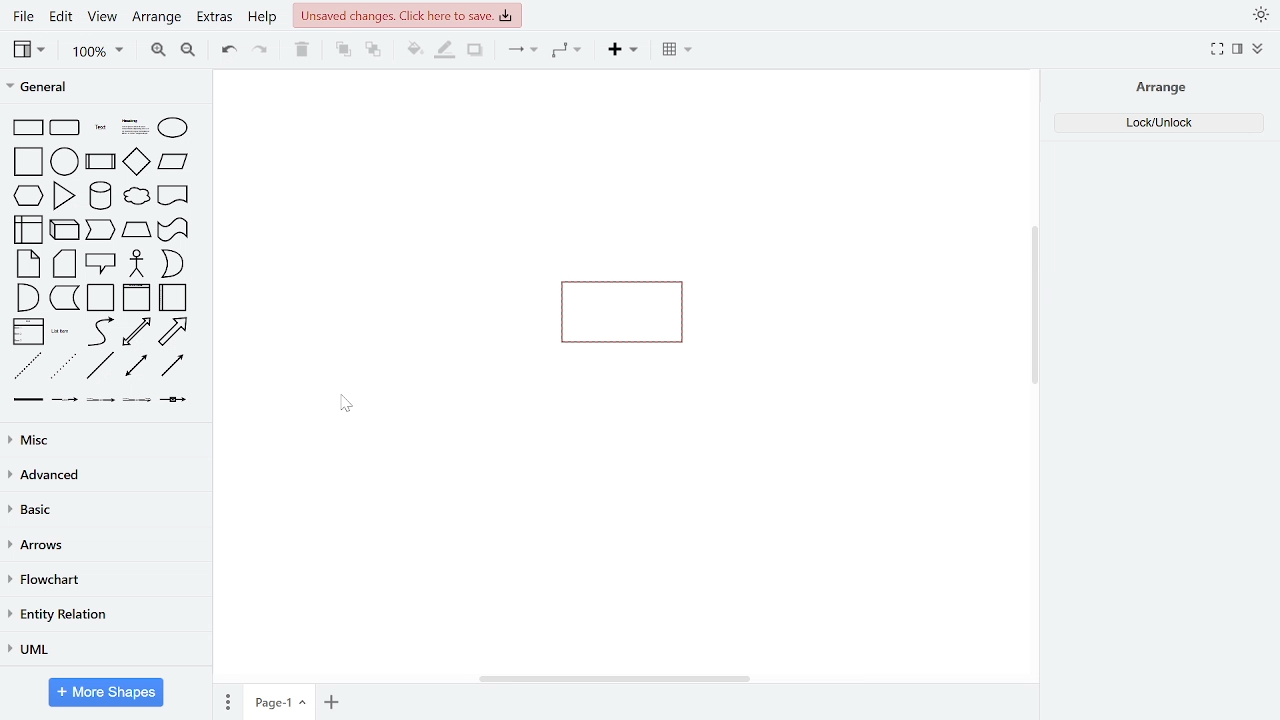  What do you see at coordinates (100, 163) in the screenshot?
I see `process` at bounding box center [100, 163].